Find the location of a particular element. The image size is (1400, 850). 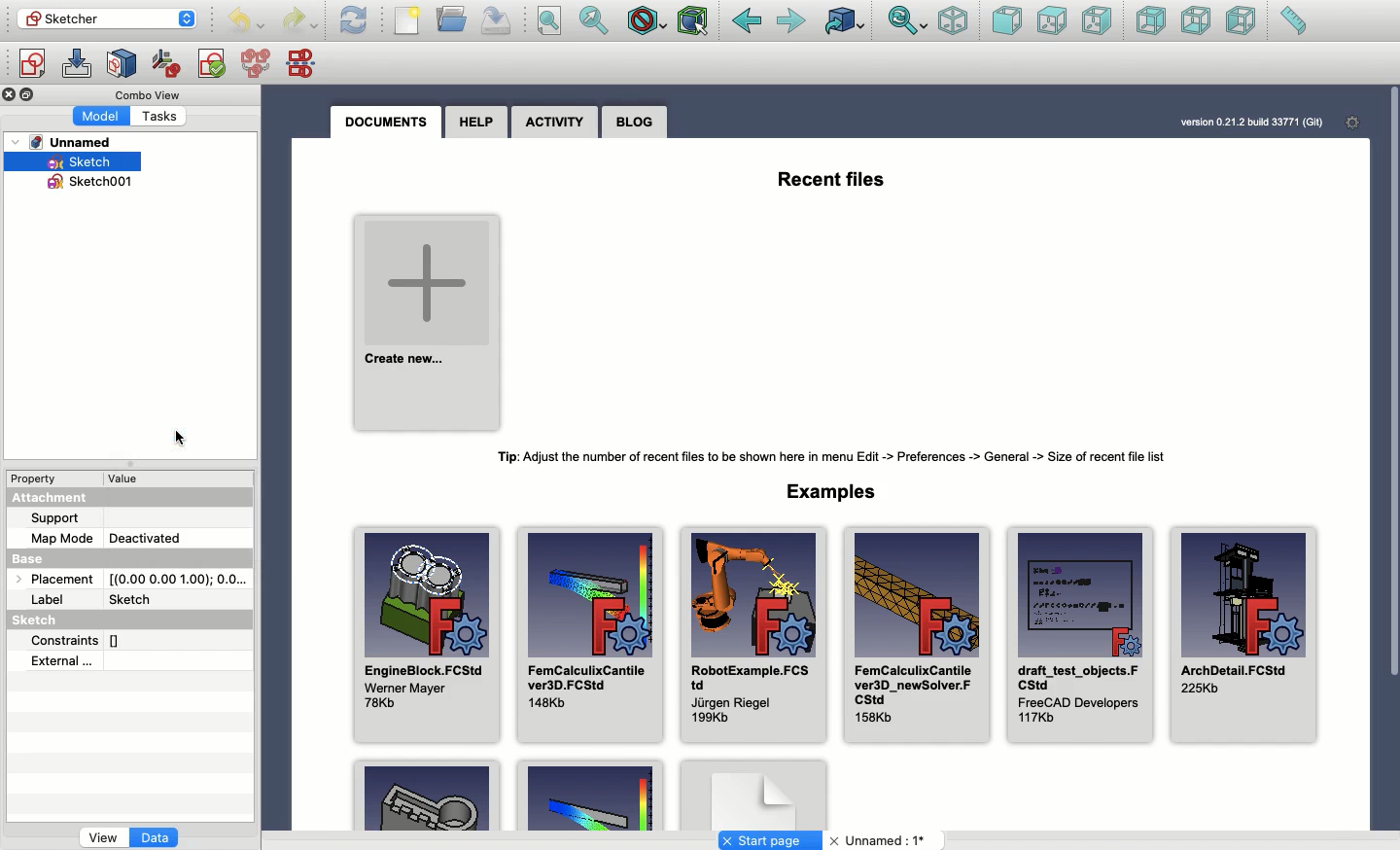

Unnamed is located at coordinates (881, 841).